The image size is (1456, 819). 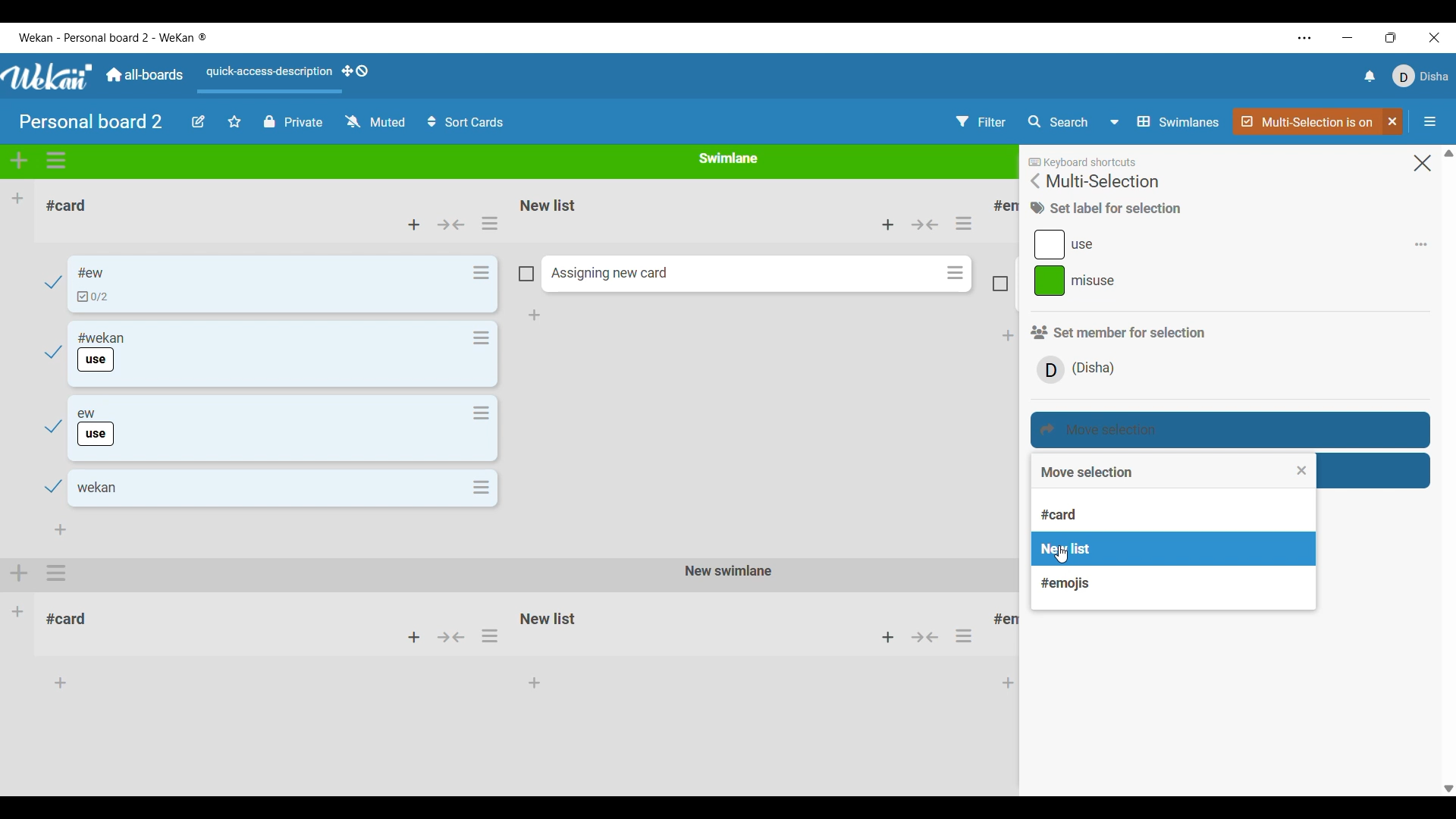 What do you see at coordinates (1222, 263) in the screenshot?
I see `Labels present in current selection` at bounding box center [1222, 263].